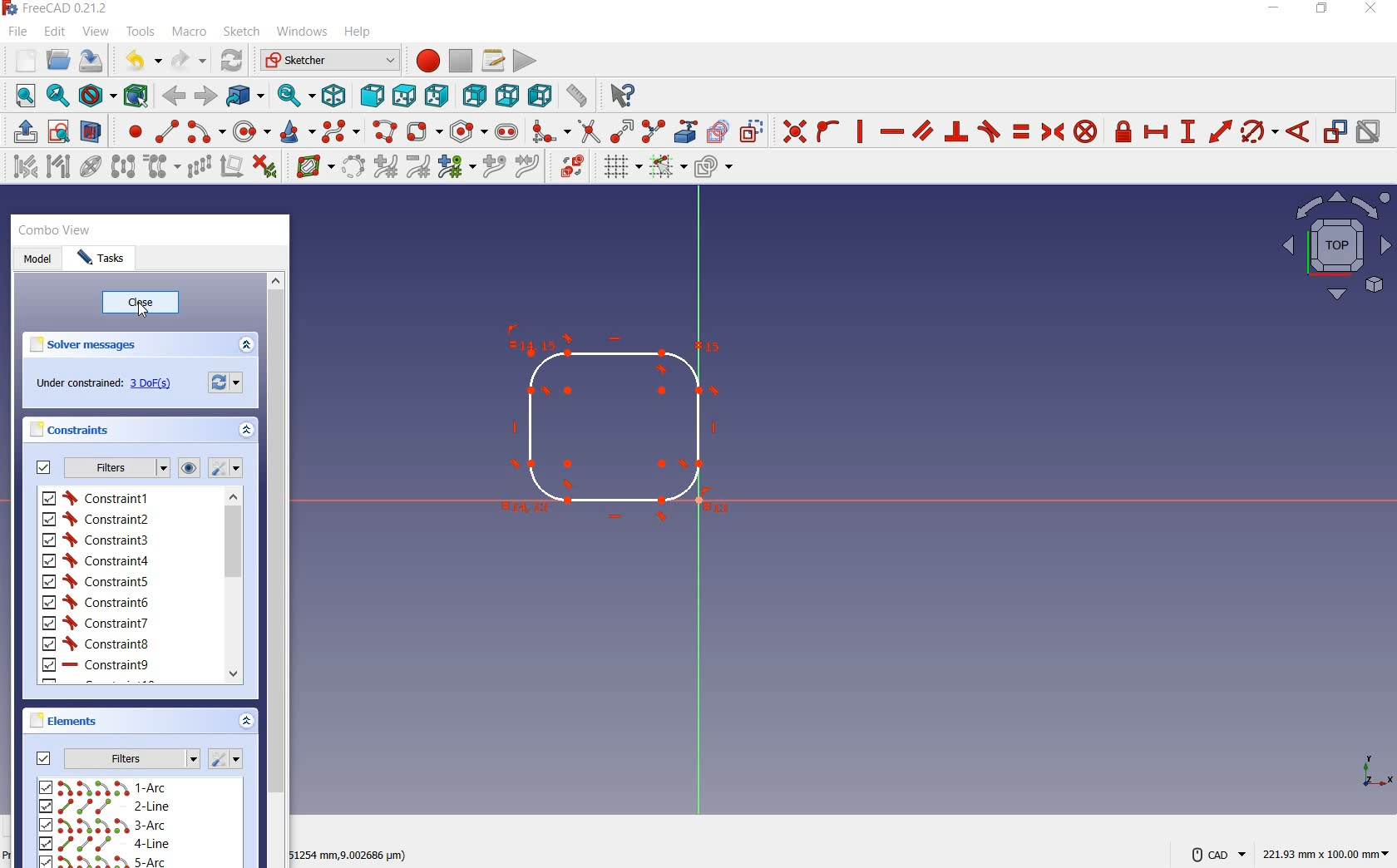 The image size is (1397, 868). Describe the element at coordinates (58, 97) in the screenshot. I see `fit selection` at that location.